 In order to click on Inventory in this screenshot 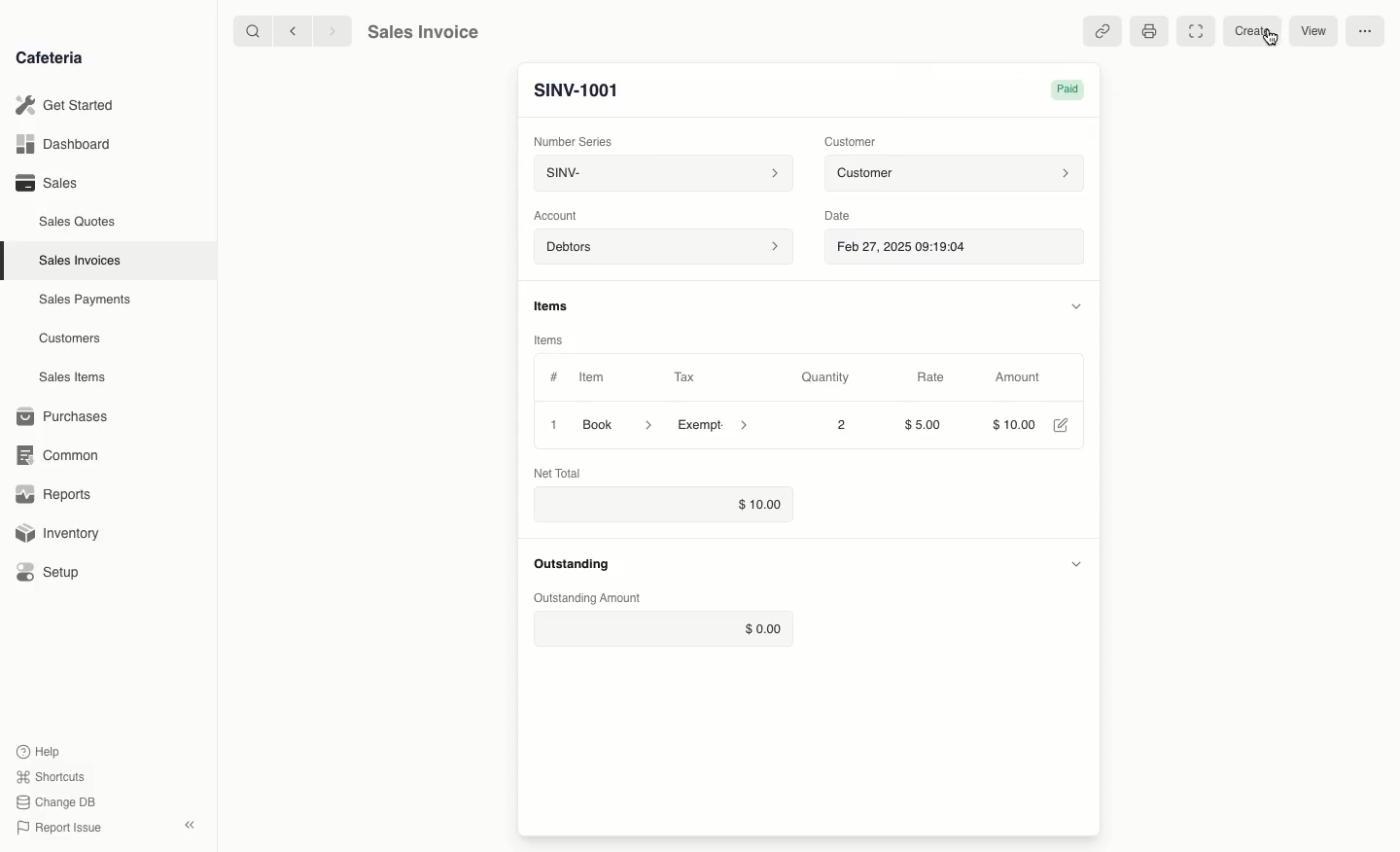, I will do `click(59, 536)`.